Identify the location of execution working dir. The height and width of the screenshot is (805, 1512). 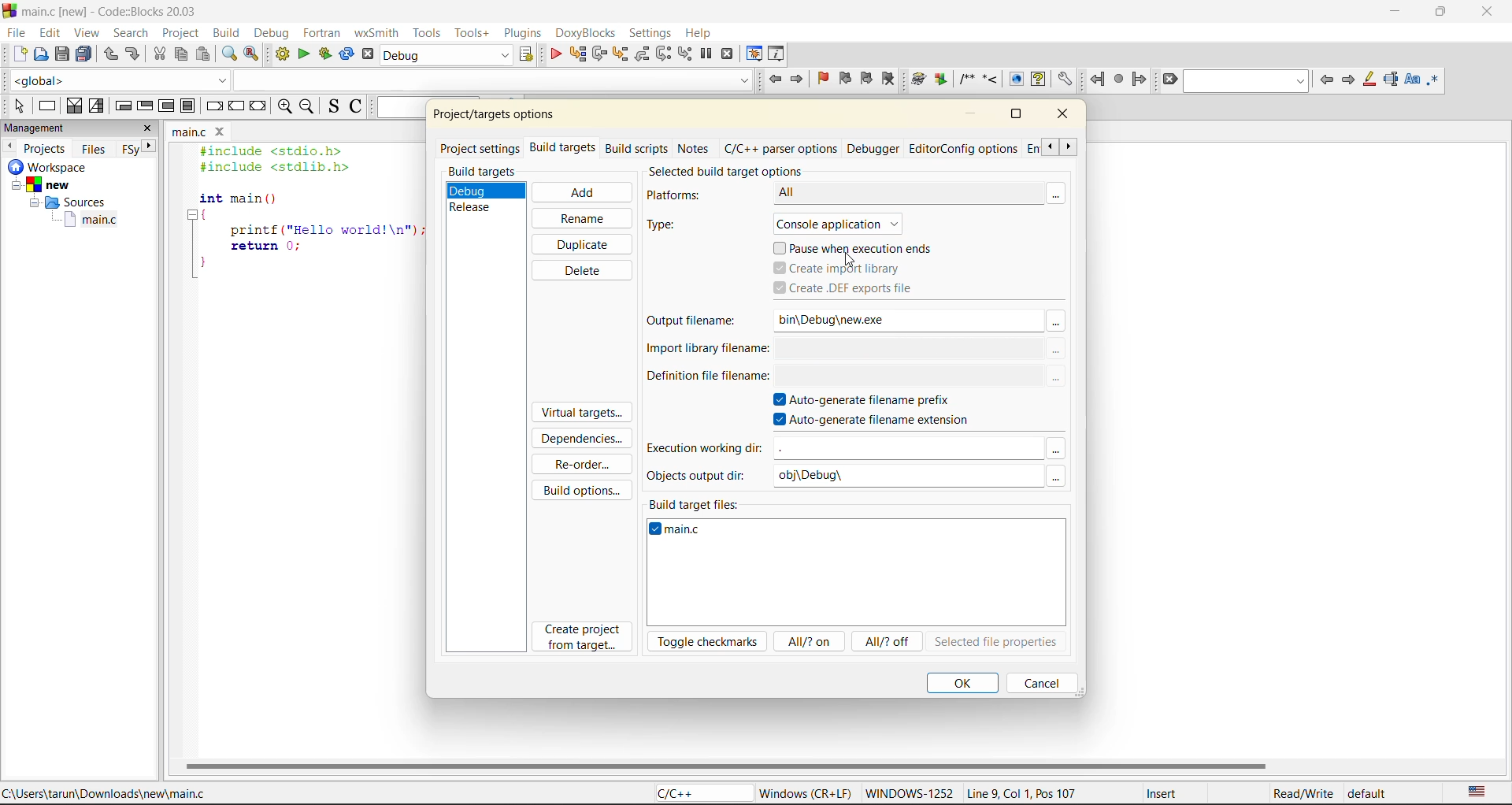
(704, 450).